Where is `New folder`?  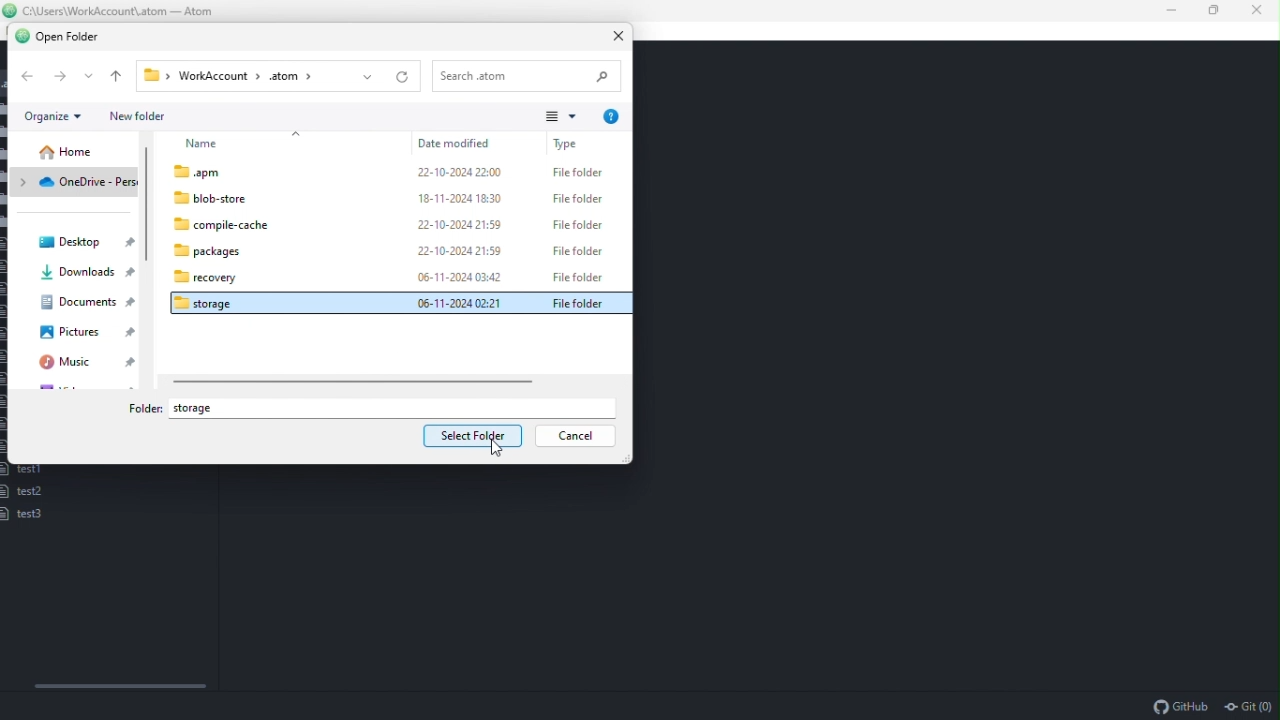
New folder is located at coordinates (140, 116).